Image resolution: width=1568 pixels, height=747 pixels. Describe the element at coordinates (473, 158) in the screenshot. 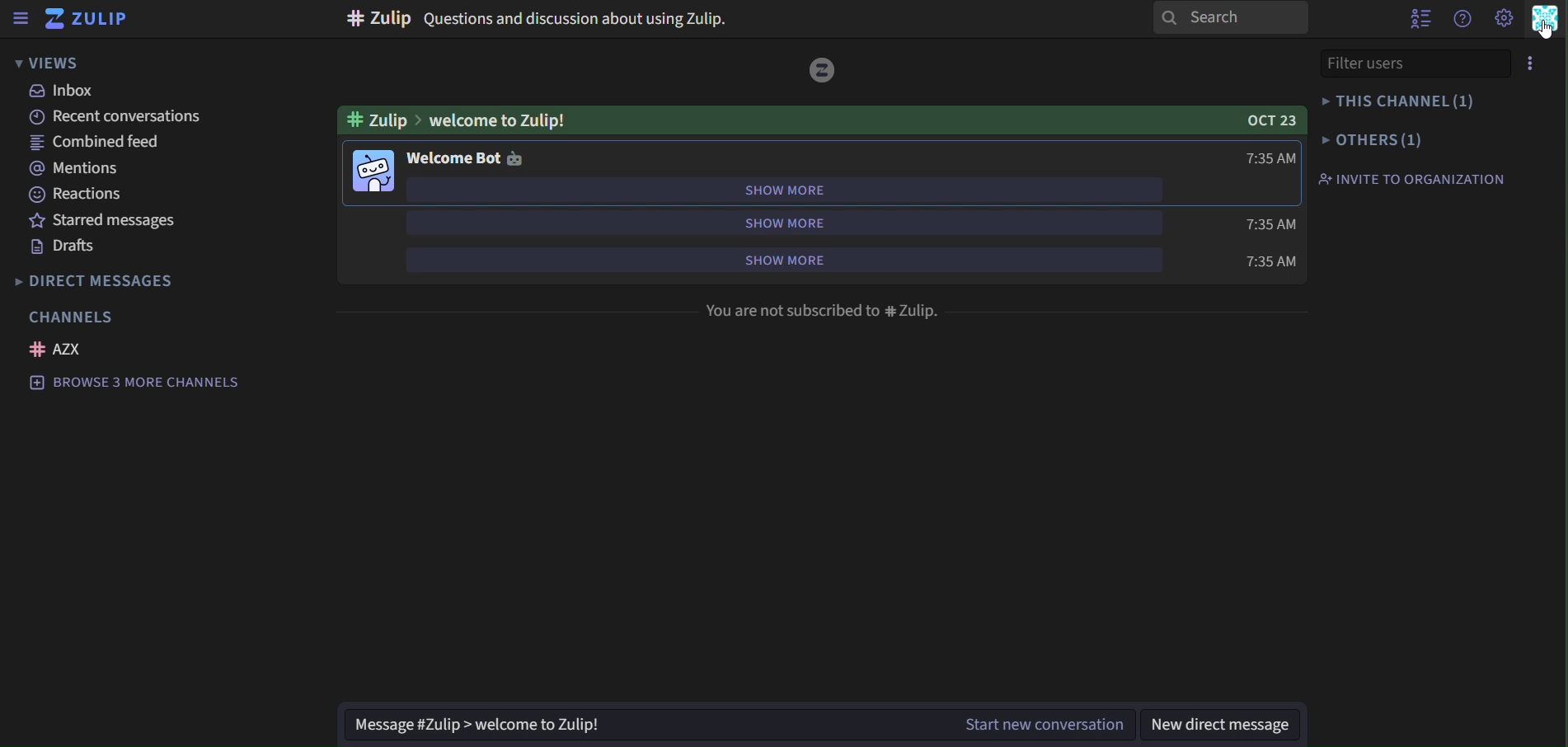

I see `welcome bot` at that location.